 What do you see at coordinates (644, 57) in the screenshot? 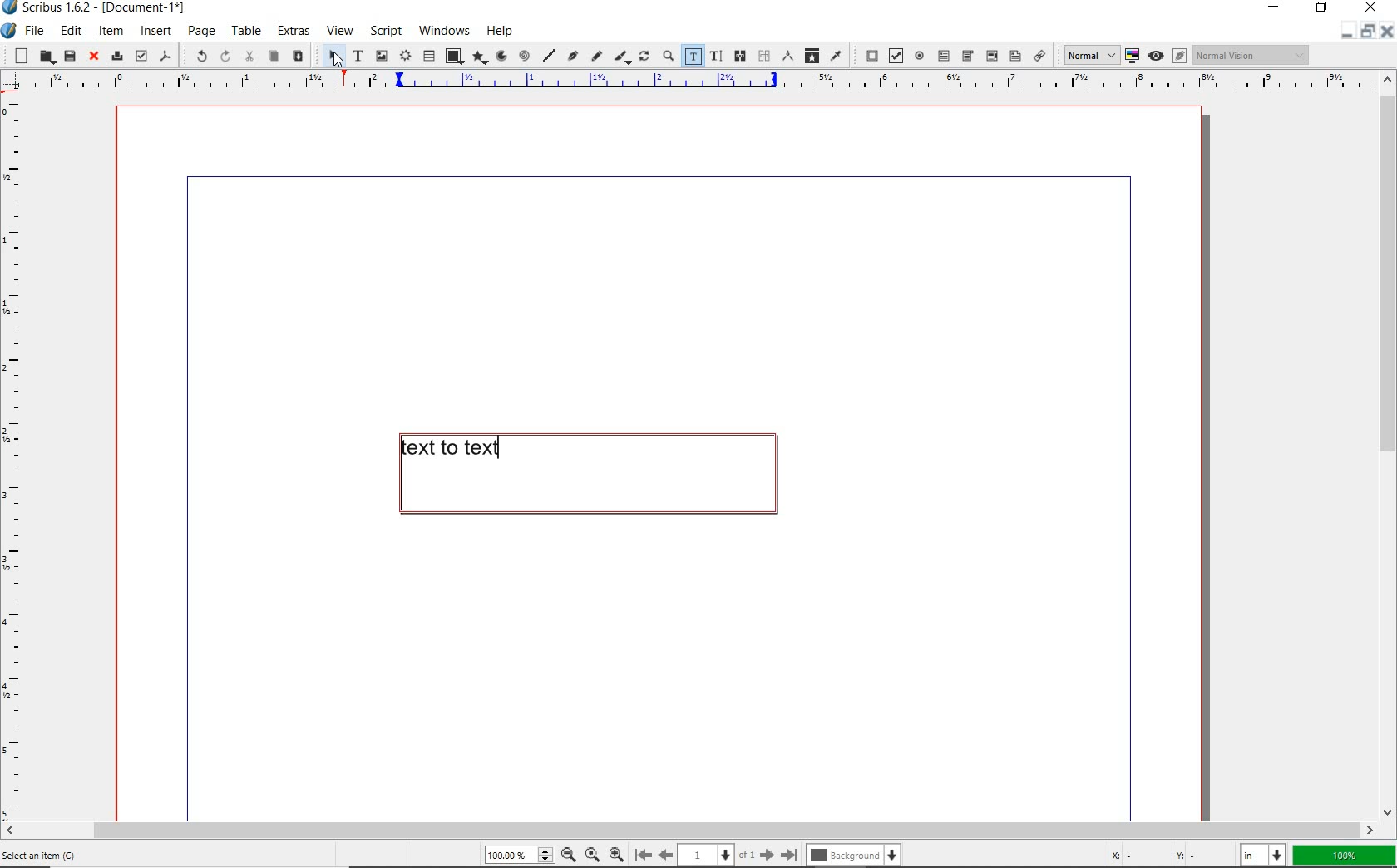
I see `rotate item` at bounding box center [644, 57].